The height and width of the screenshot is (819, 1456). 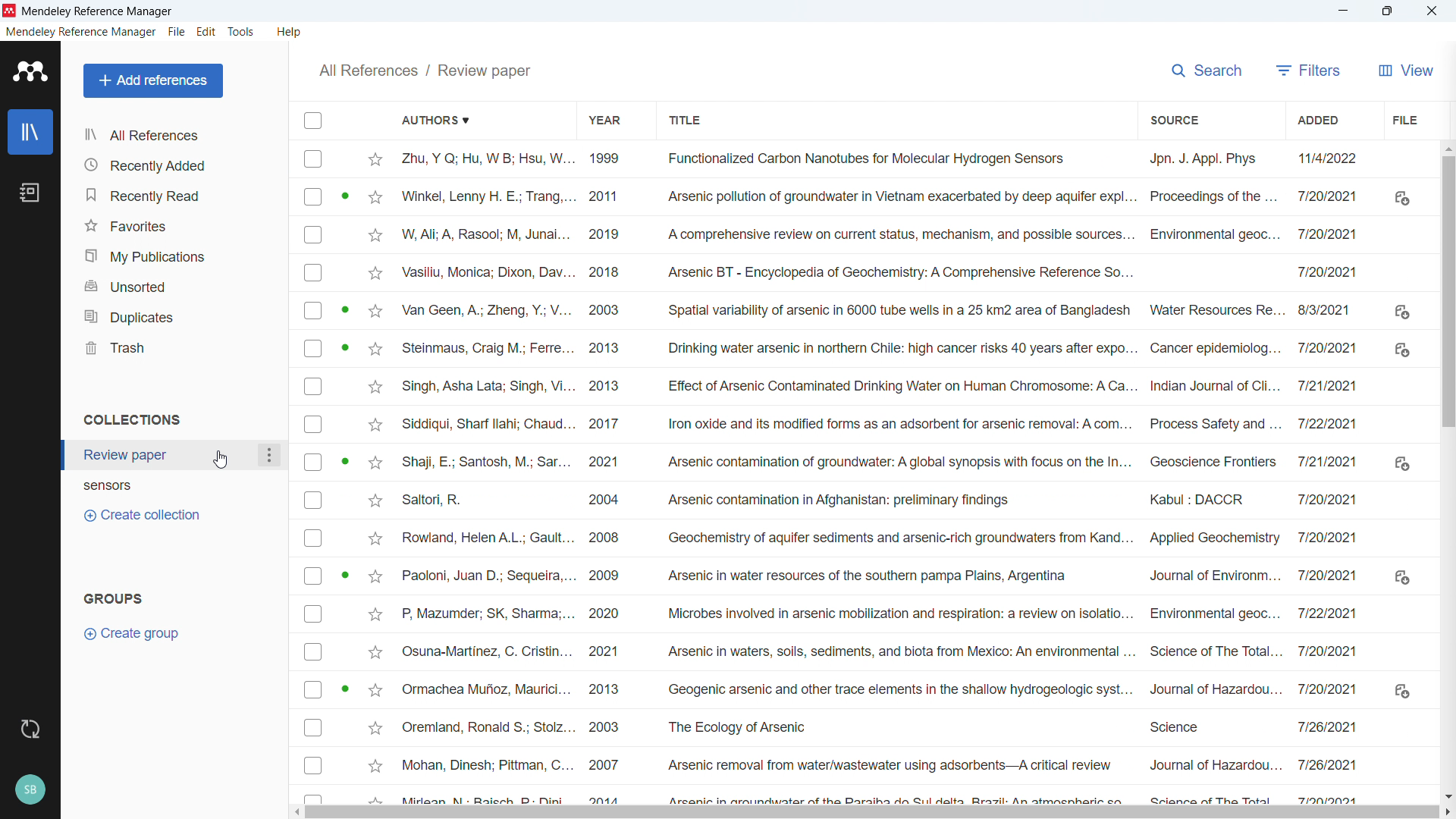 What do you see at coordinates (1172, 119) in the screenshot?
I see `Sort by sources ` at bounding box center [1172, 119].